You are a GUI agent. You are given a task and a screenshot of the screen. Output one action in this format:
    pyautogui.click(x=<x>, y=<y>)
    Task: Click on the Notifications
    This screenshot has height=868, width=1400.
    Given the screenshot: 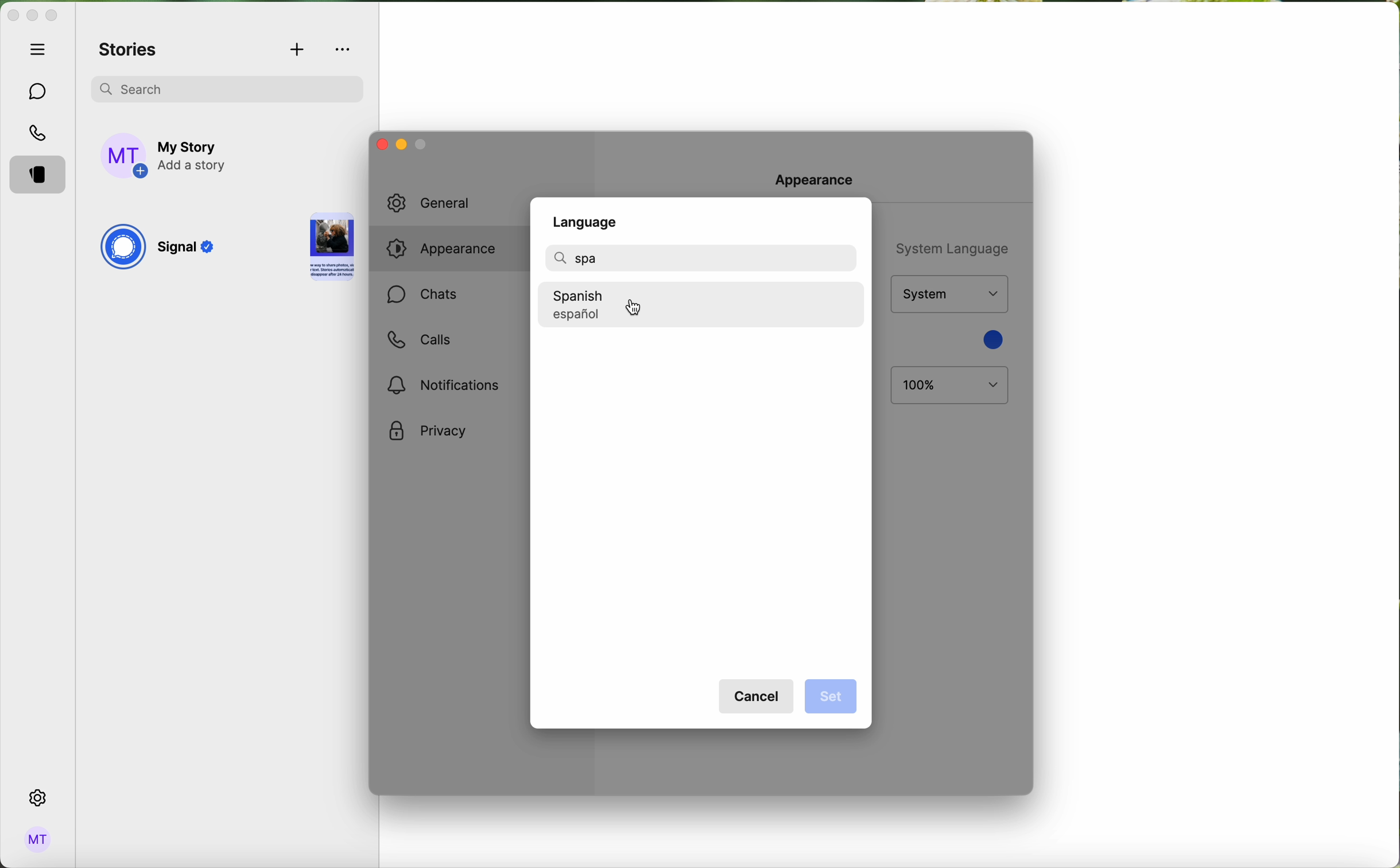 What is the action you would take?
    pyautogui.click(x=447, y=385)
    